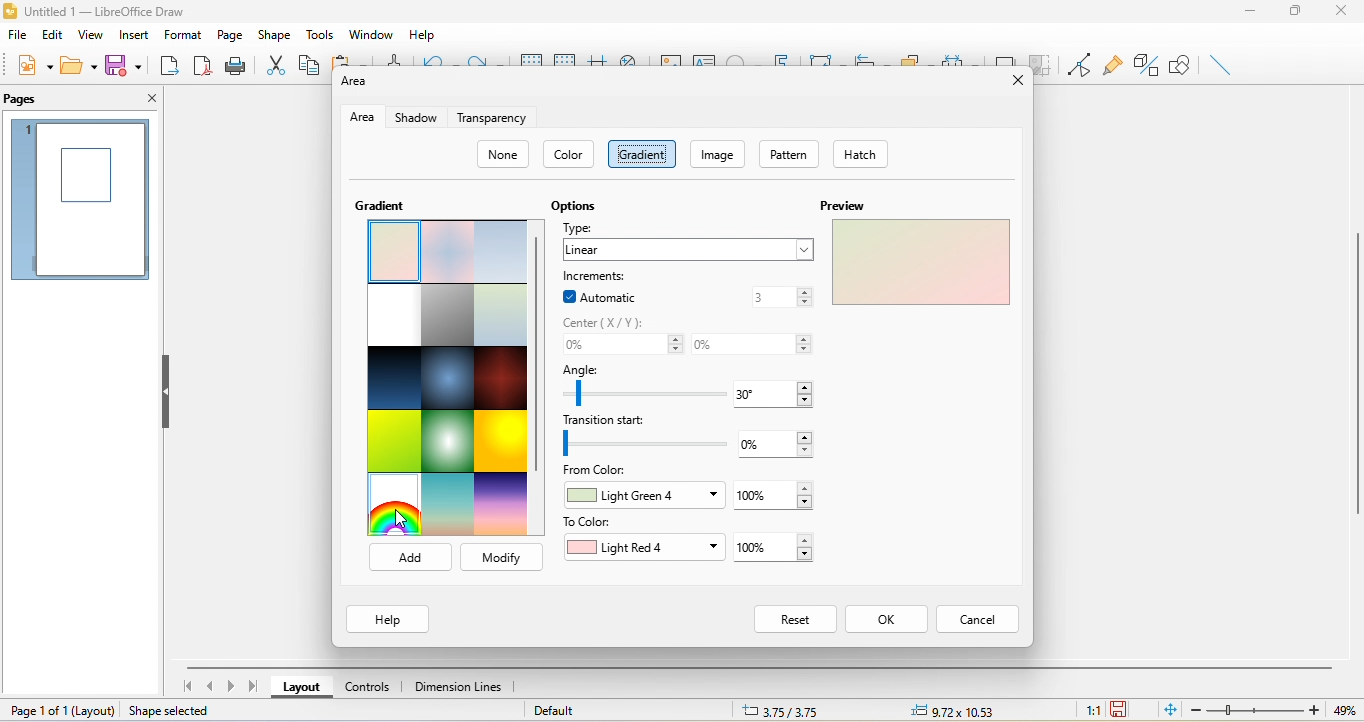  Describe the element at coordinates (1146, 65) in the screenshot. I see `toggle extrusion` at that location.